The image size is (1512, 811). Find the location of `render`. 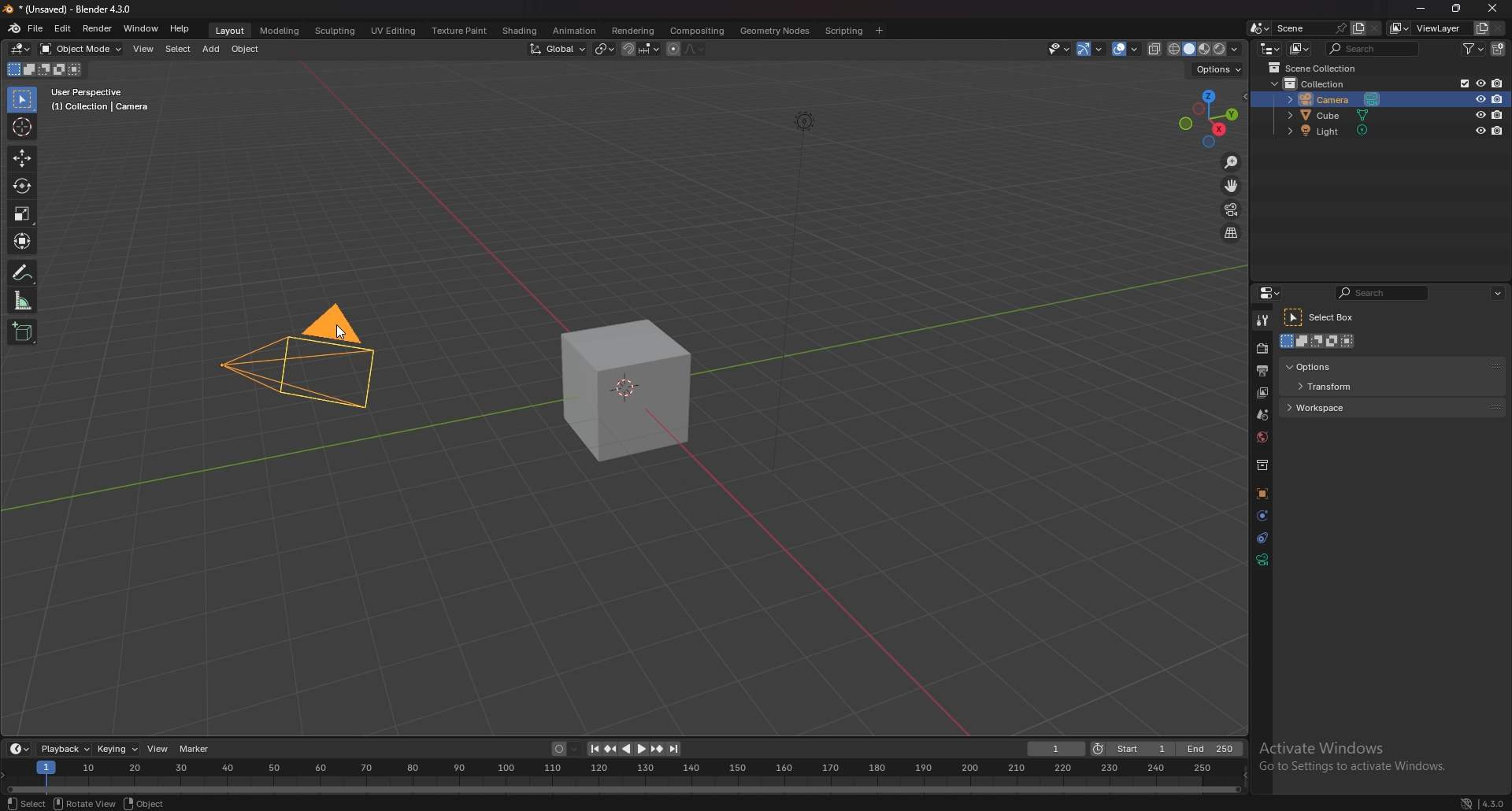

render is located at coordinates (97, 28).